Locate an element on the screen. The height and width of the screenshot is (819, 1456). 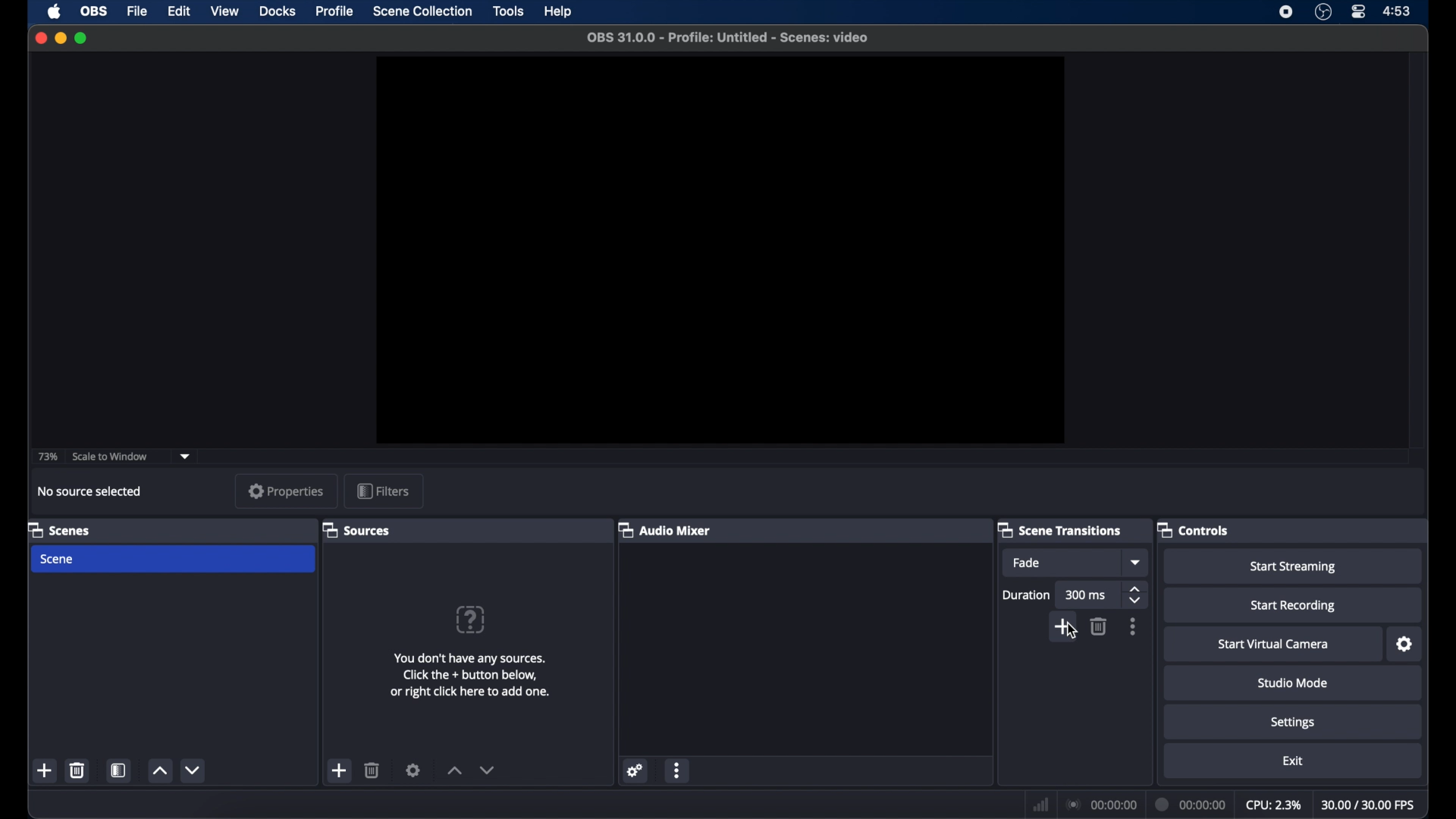
scene filters is located at coordinates (120, 770).